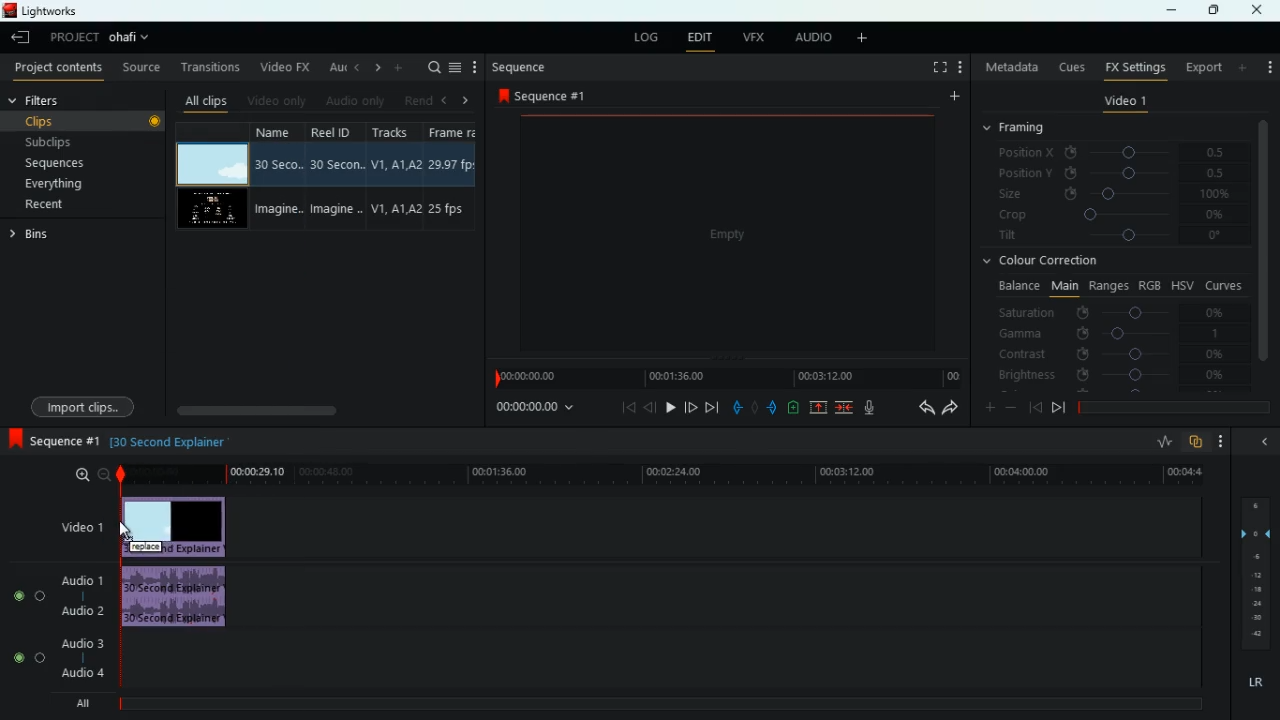 The height and width of the screenshot is (720, 1280). What do you see at coordinates (1264, 440) in the screenshot?
I see `minimize` at bounding box center [1264, 440].